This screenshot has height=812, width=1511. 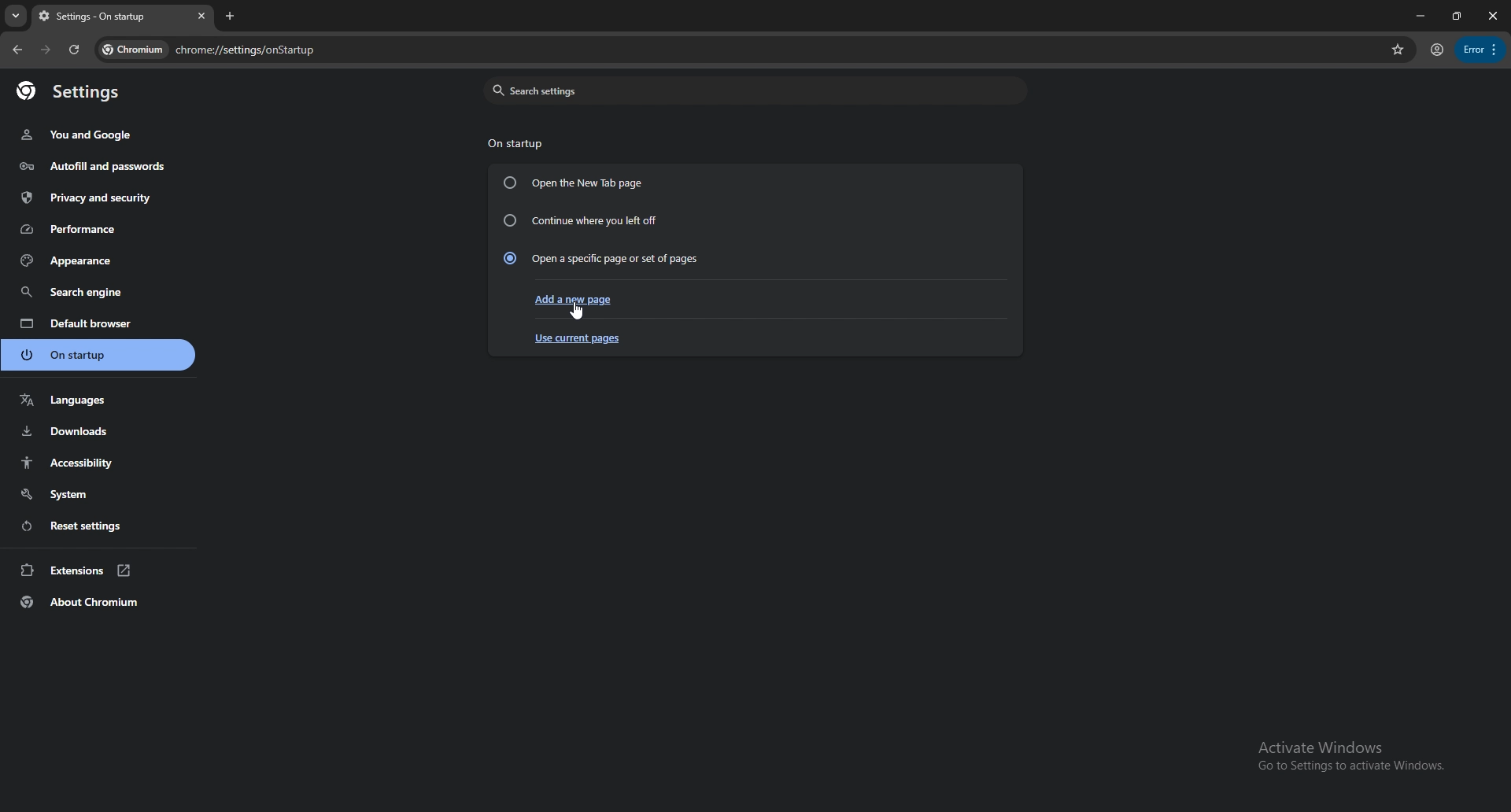 What do you see at coordinates (16, 17) in the screenshot?
I see `search tabs` at bounding box center [16, 17].